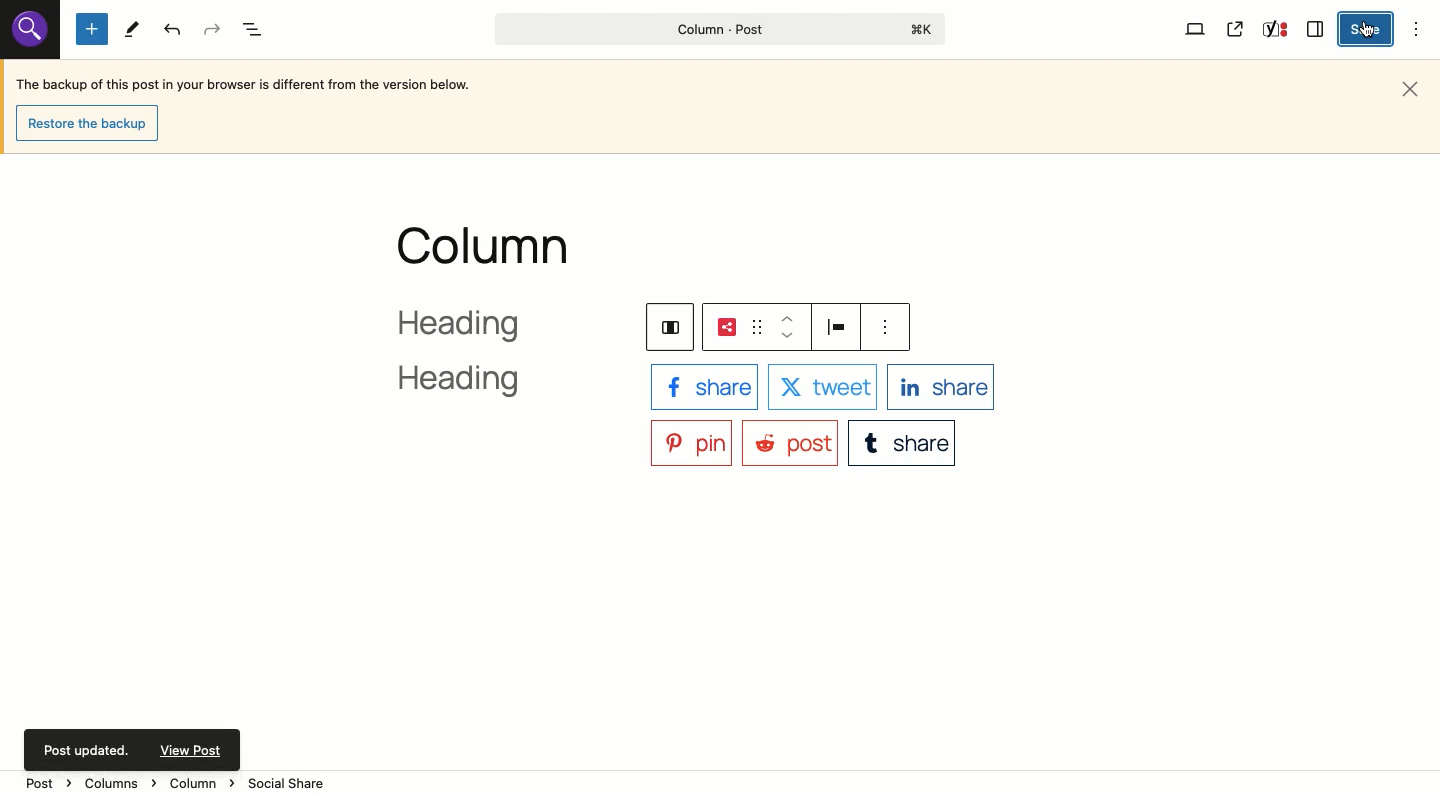 This screenshot has height=794, width=1440. Describe the element at coordinates (691, 441) in the screenshot. I see `Pinterest` at that location.